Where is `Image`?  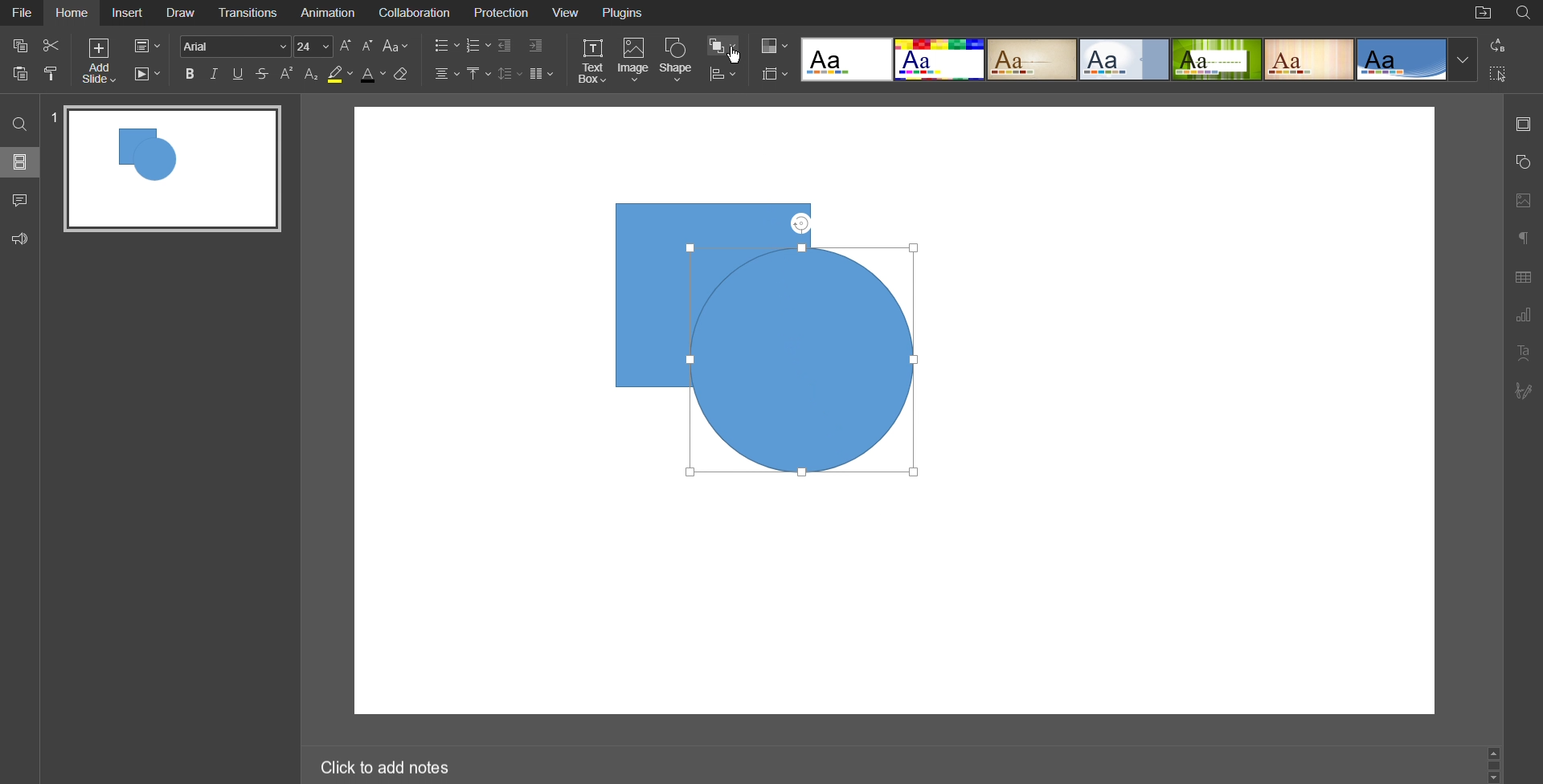
Image is located at coordinates (633, 62).